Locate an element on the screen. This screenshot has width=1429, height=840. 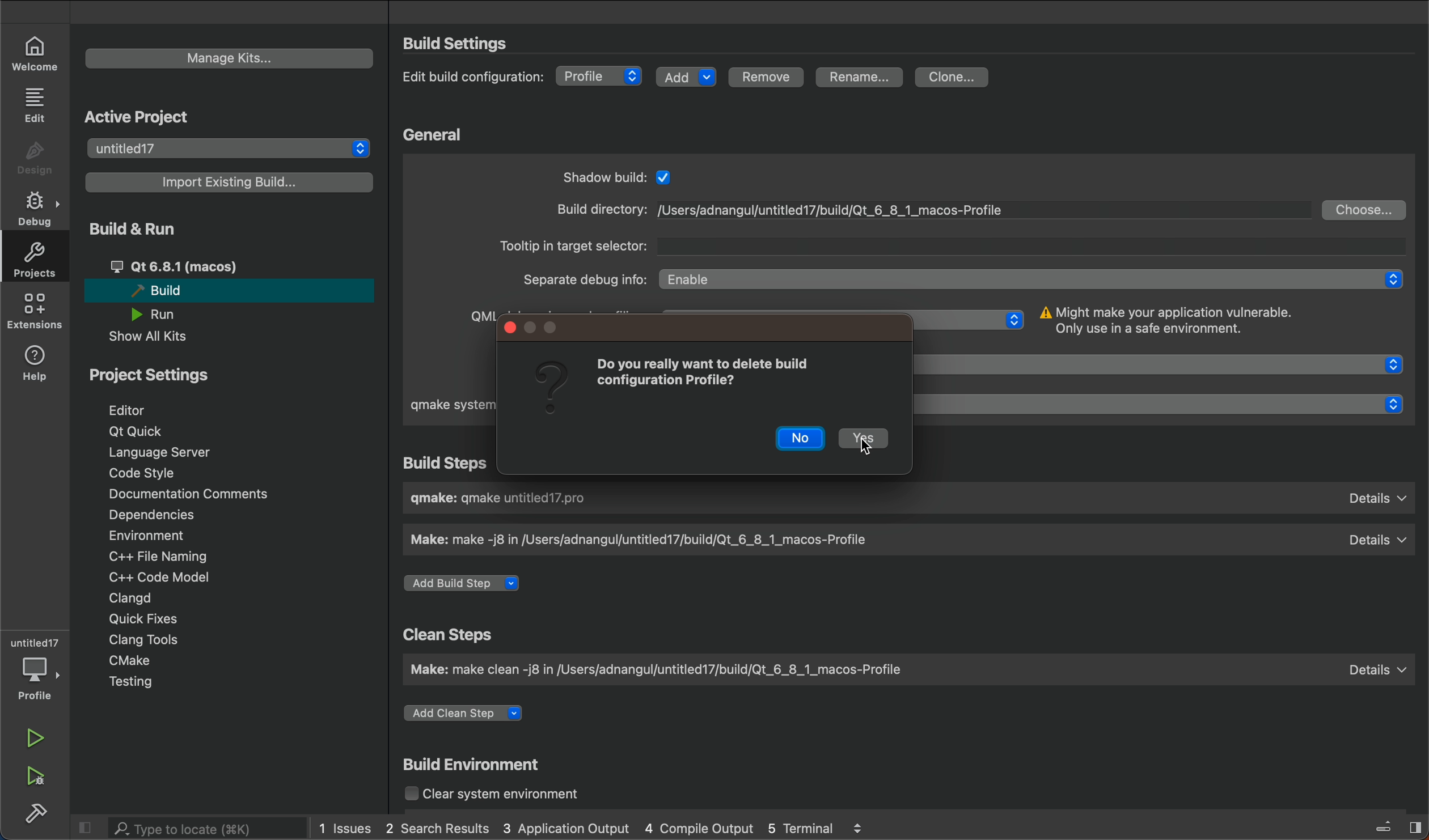
edit configuration is located at coordinates (473, 75).